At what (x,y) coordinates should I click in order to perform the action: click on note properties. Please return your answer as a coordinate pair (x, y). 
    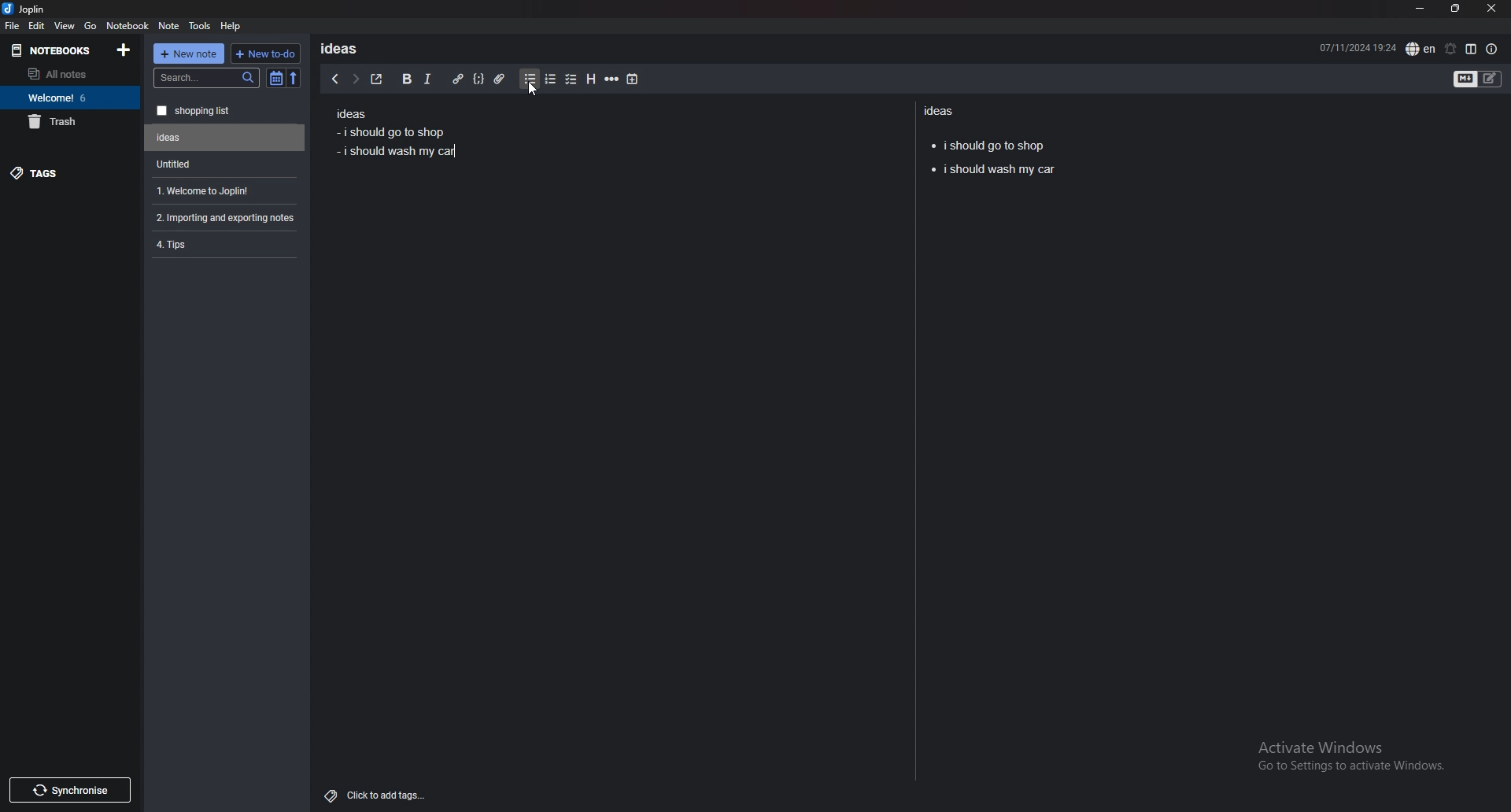
    Looking at the image, I should click on (1492, 50).